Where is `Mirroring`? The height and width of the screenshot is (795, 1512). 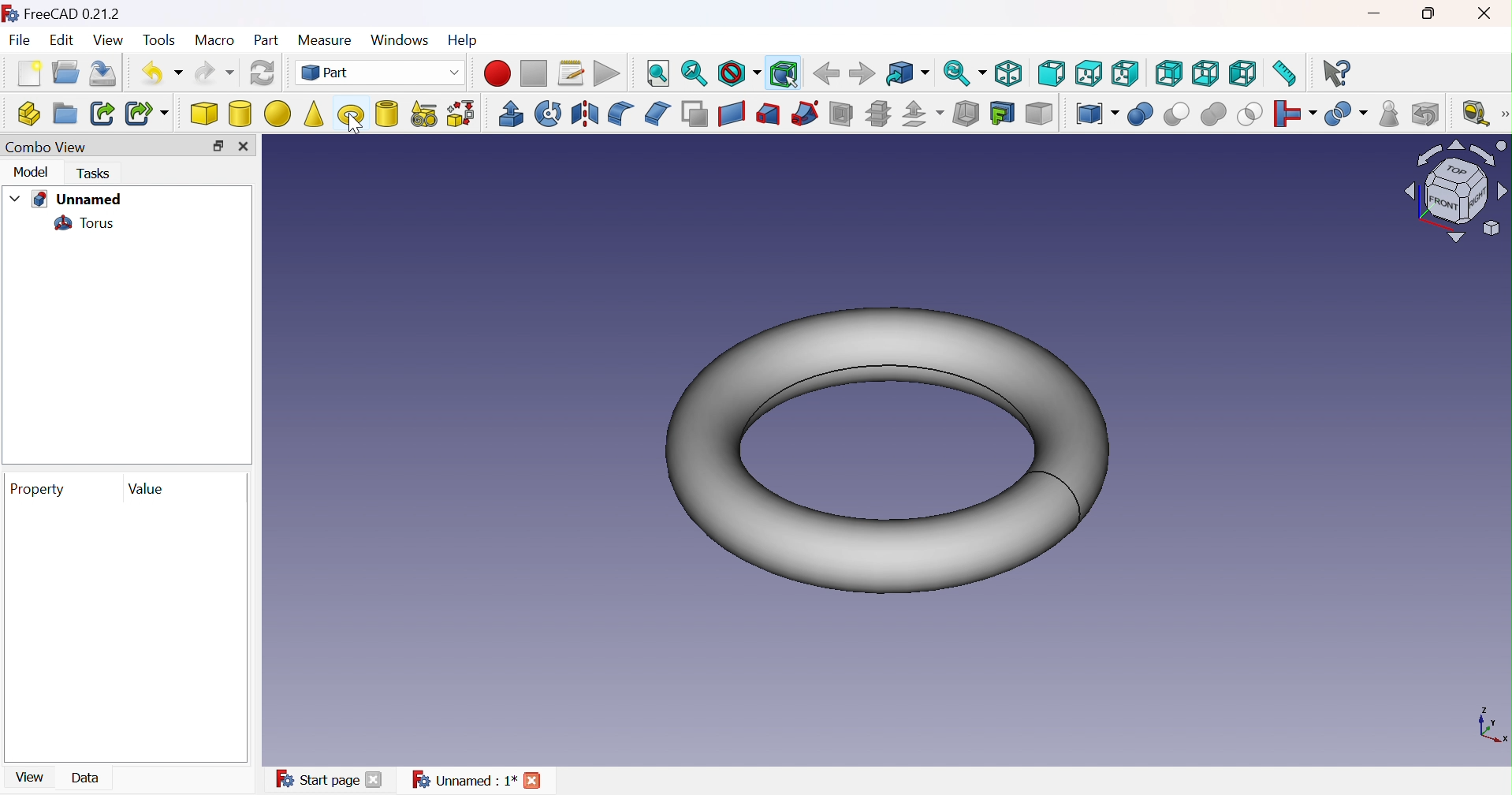 Mirroring is located at coordinates (548, 114).